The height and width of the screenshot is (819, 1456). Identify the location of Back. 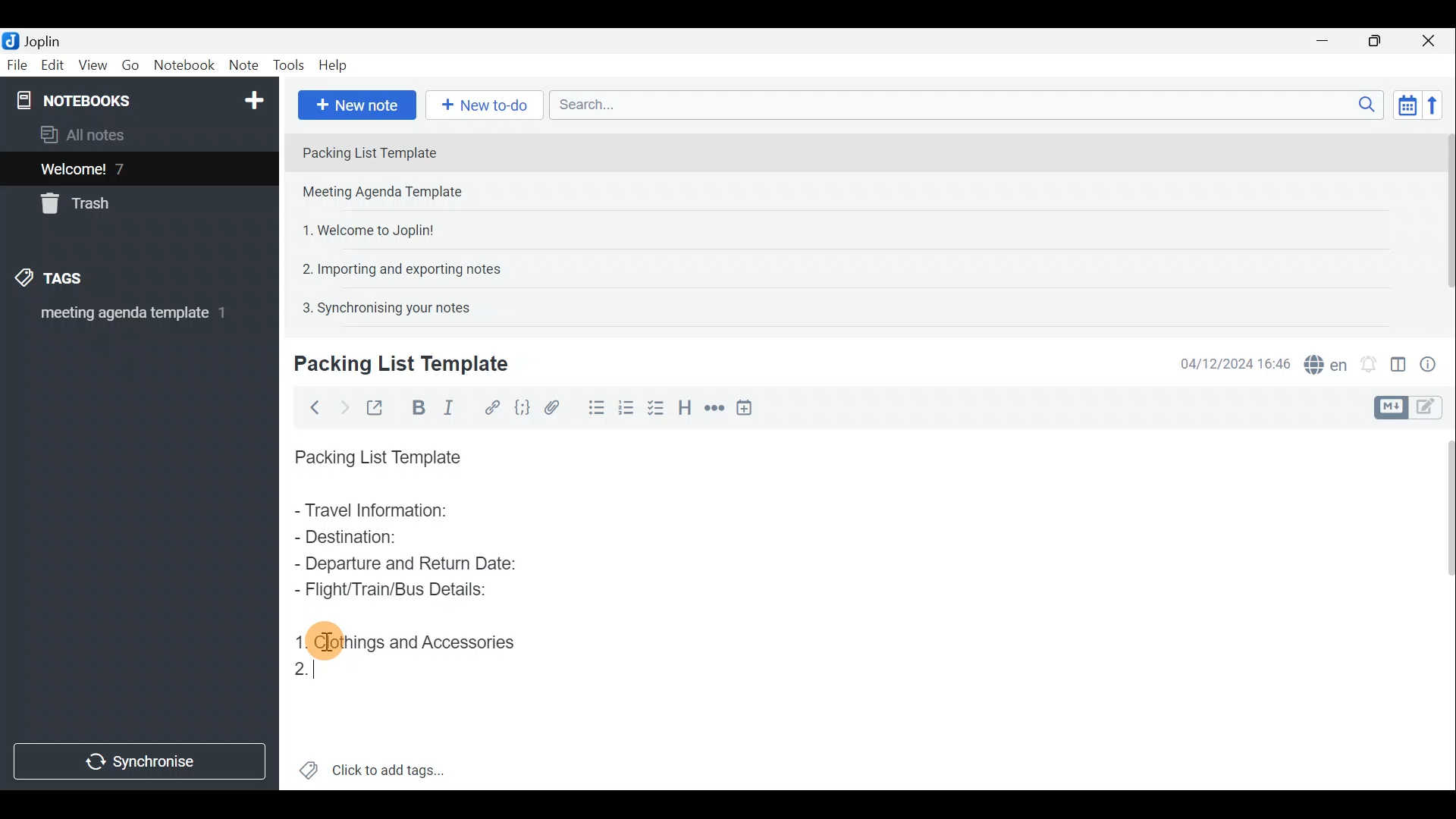
(312, 407).